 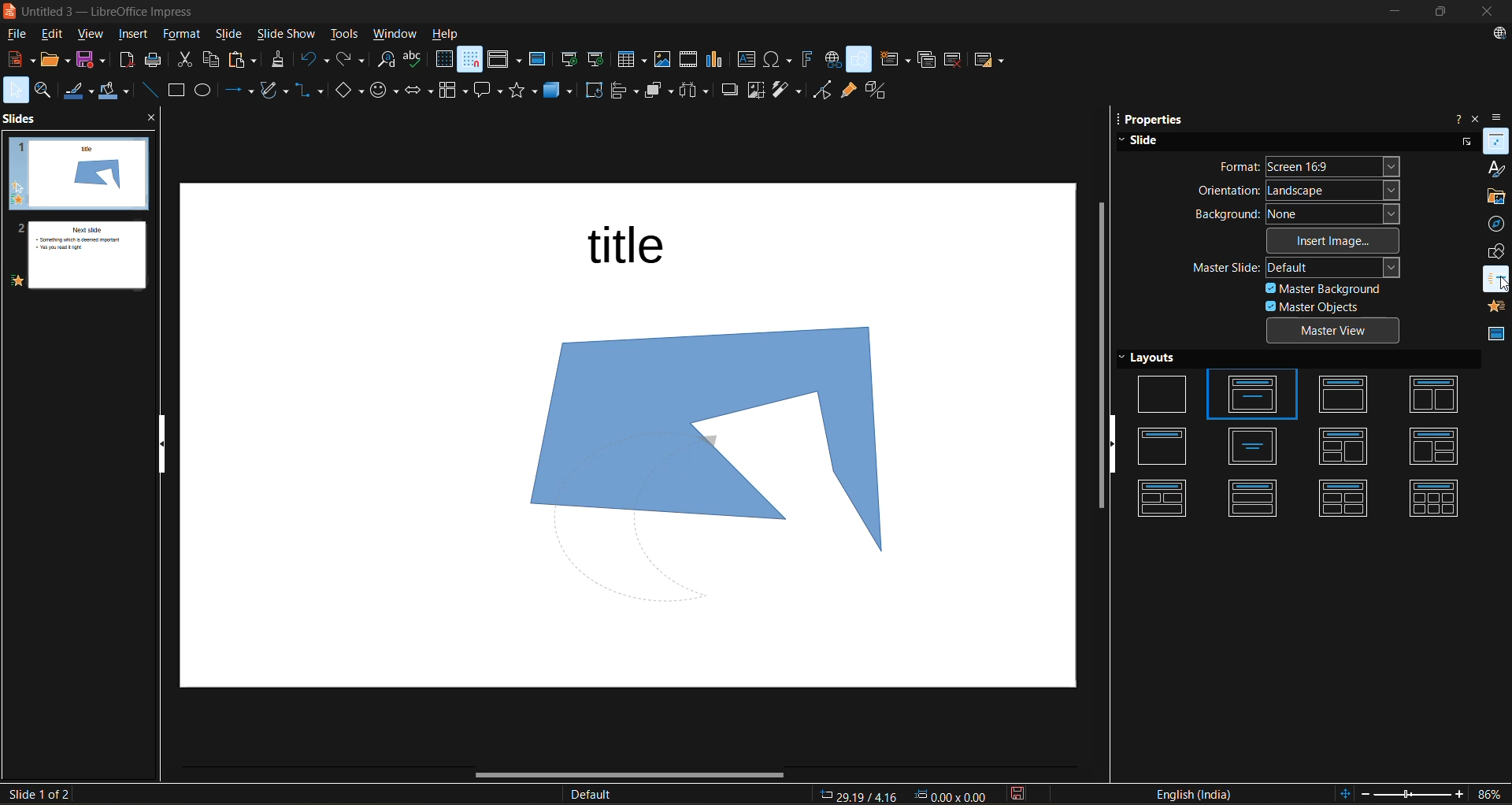 What do you see at coordinates (850, 91) in the screenshot?
I see `show gluepoint functions` at bounding box center [850, 91].